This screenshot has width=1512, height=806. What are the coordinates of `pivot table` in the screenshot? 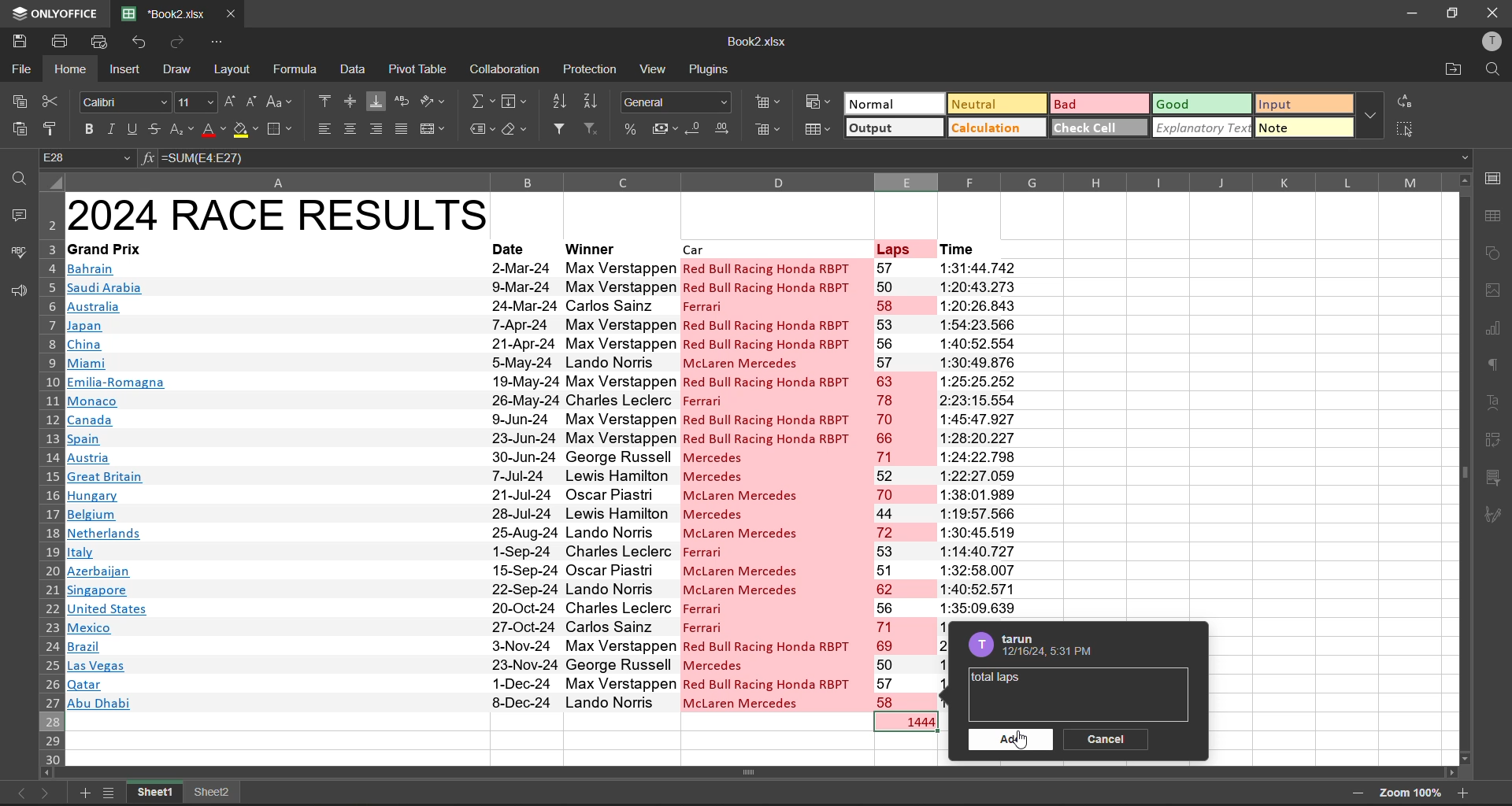 It's located at (422, 70).